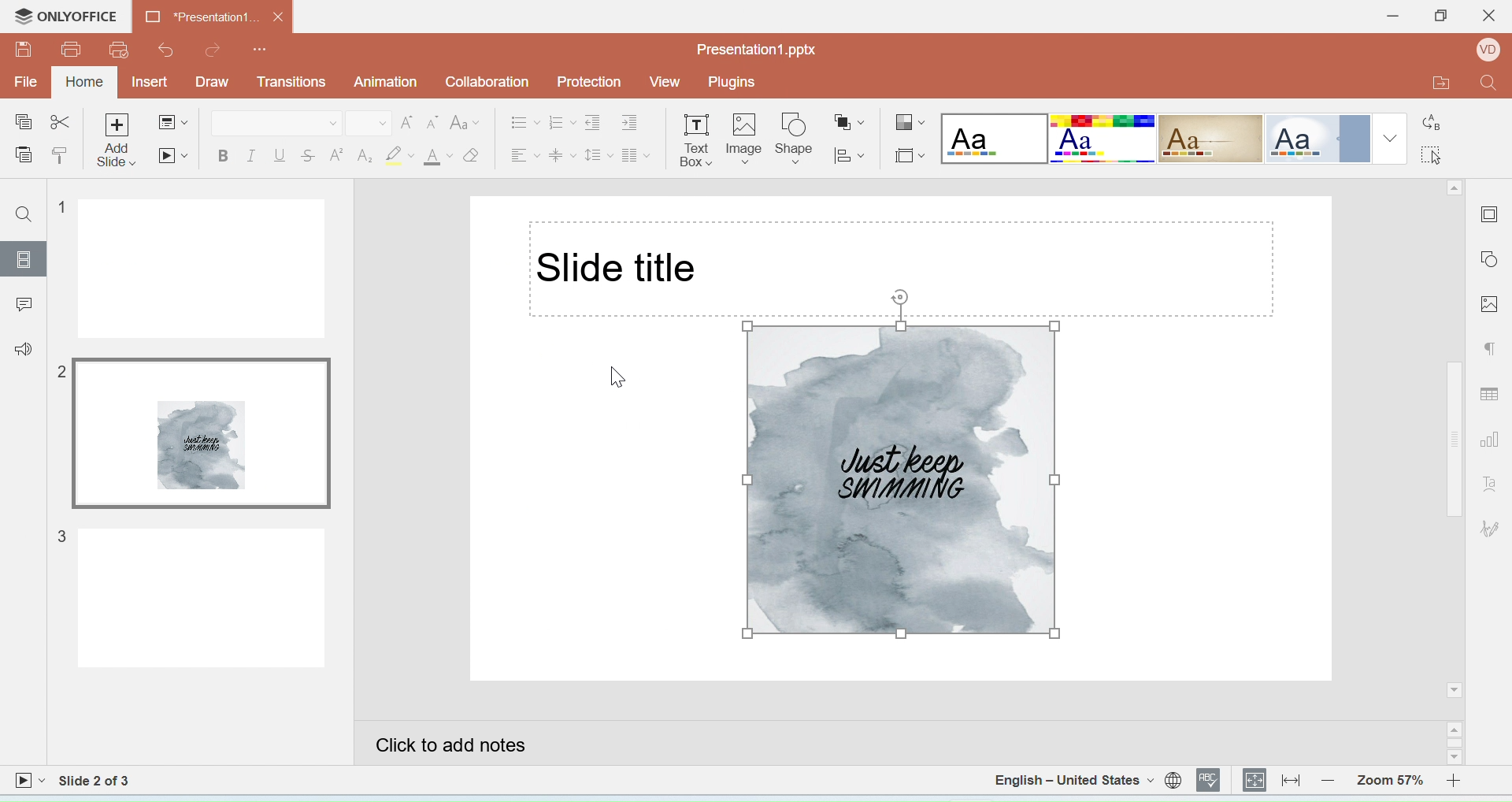  I want to click on slide3, so click(183, 597).